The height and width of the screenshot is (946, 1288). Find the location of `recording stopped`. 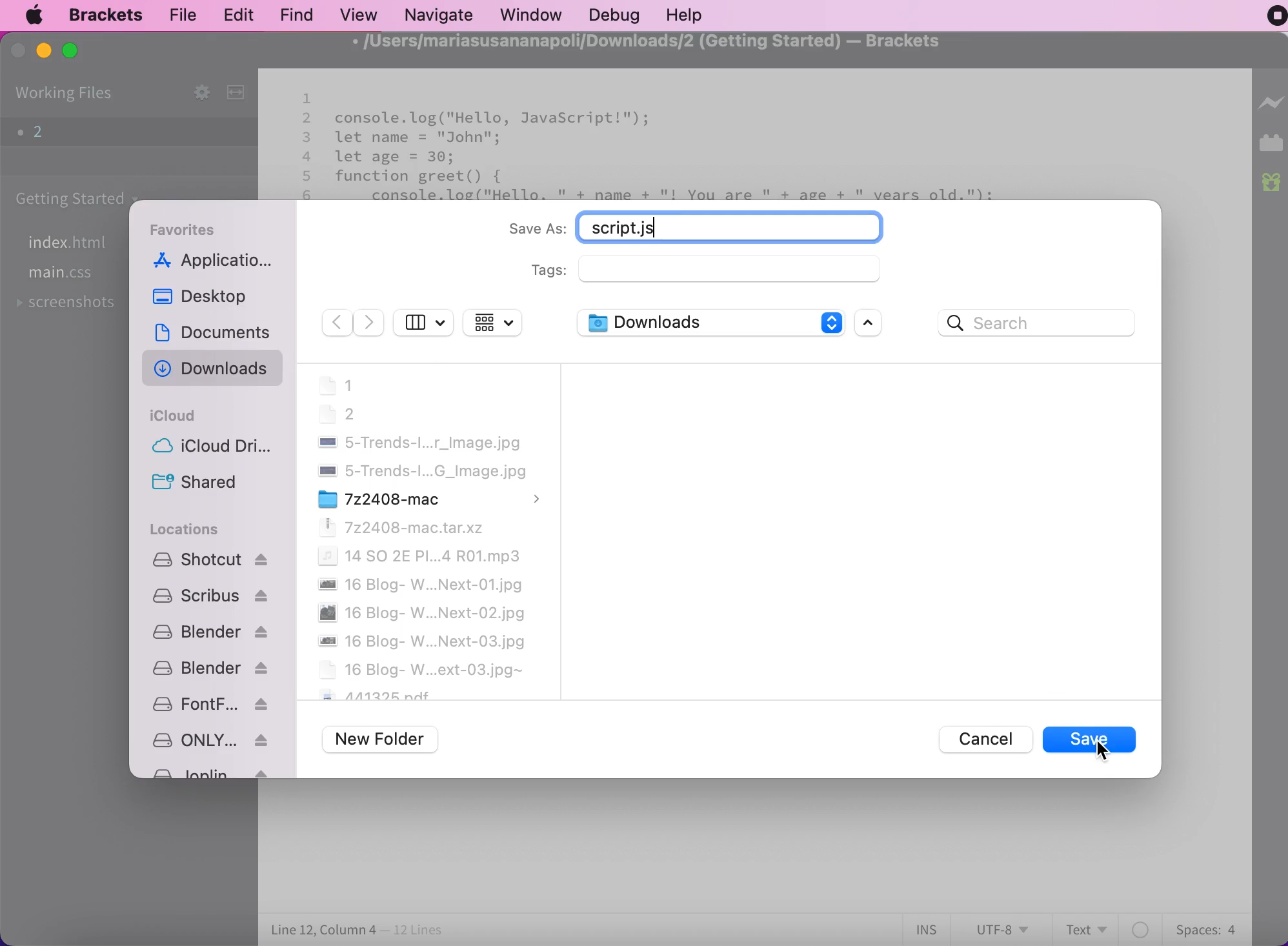

recording stopped is located at coordinates (1269, 19).